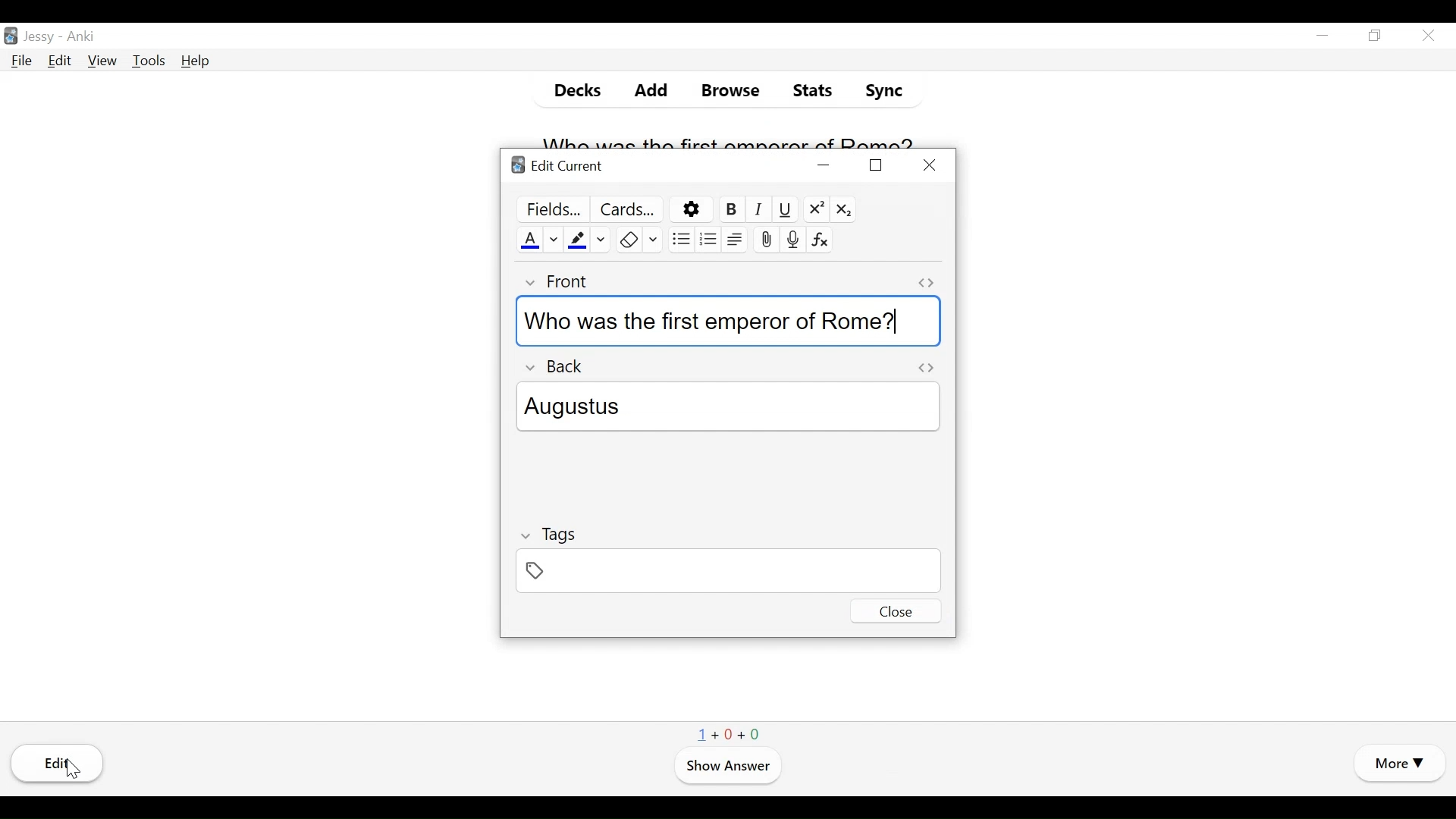 The image size is (1456, 819). I want to click on Text Highlight color , so click(579, 239).